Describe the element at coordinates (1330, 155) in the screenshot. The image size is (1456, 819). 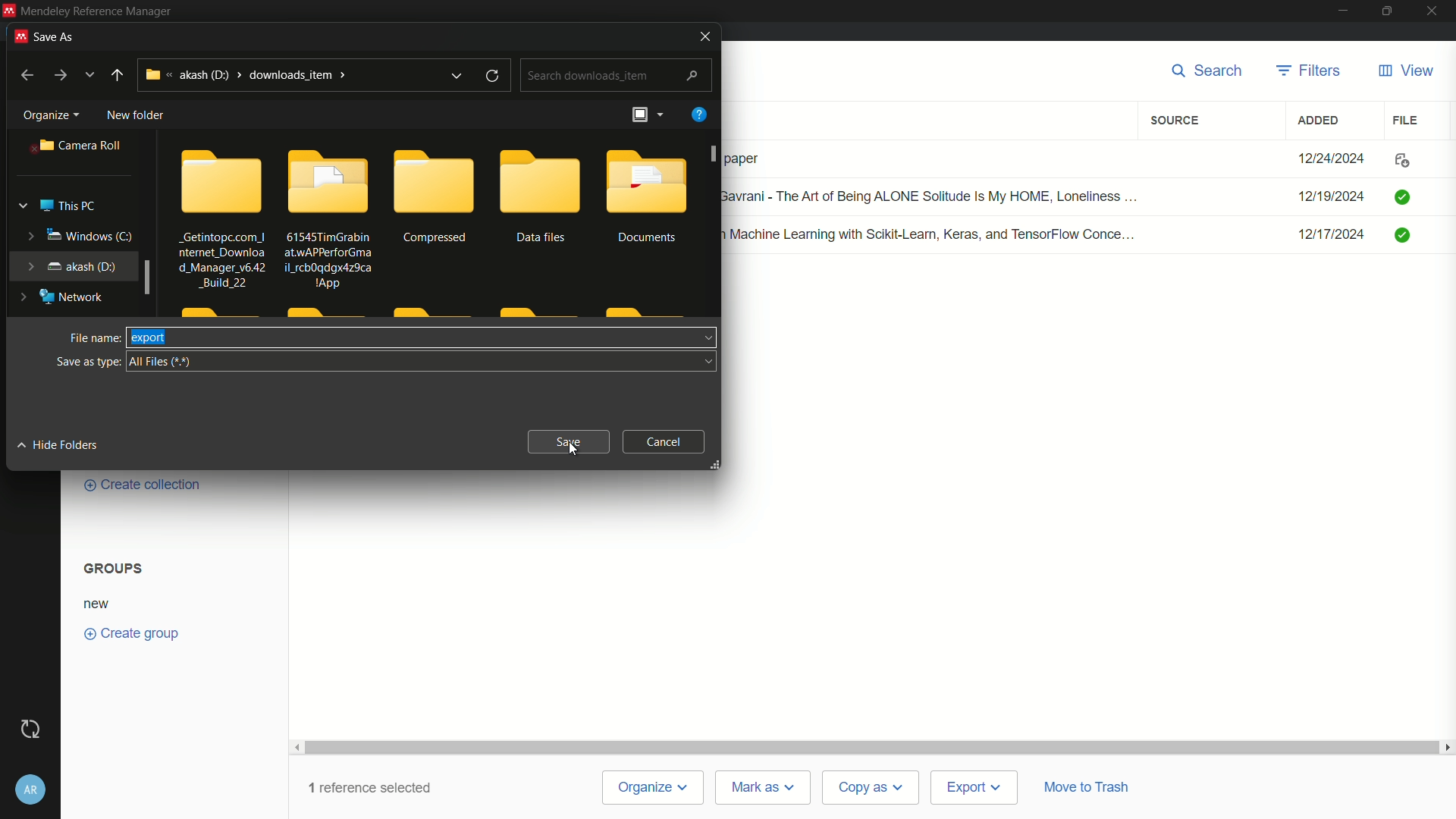
I see `12/24/2024` at that location.